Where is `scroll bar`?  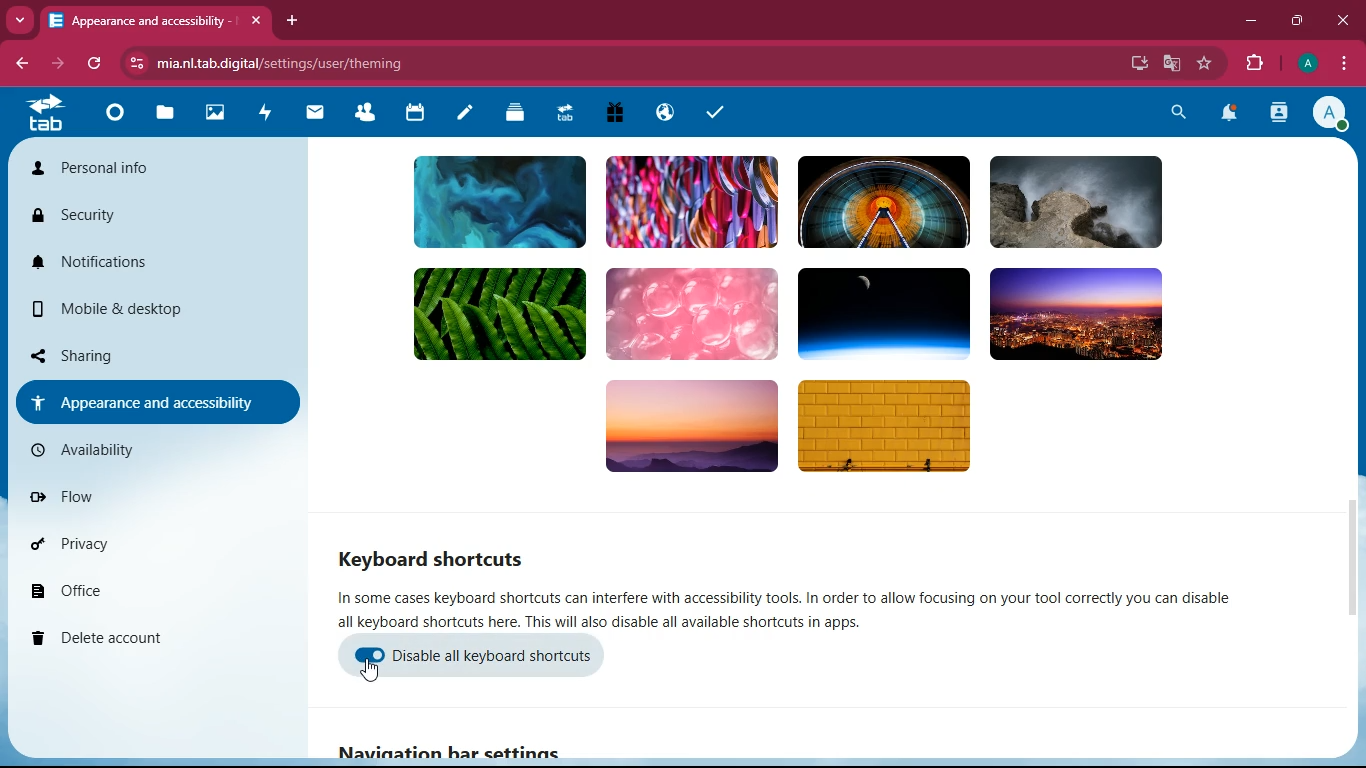
scroll bar is located at coordinates (1349, 564).